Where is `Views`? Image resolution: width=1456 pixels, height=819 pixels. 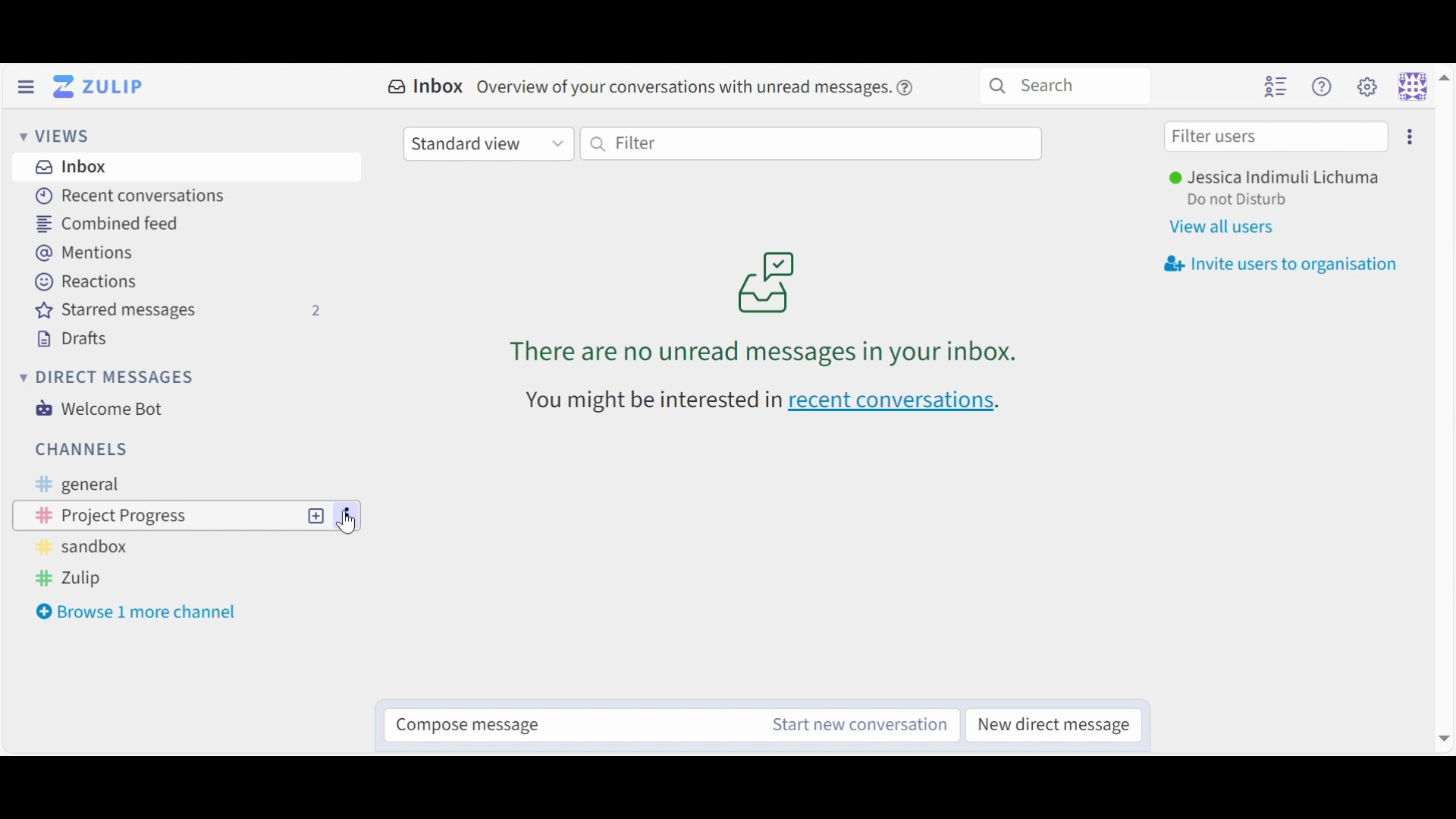
Views is located at coordinates (58, 137).